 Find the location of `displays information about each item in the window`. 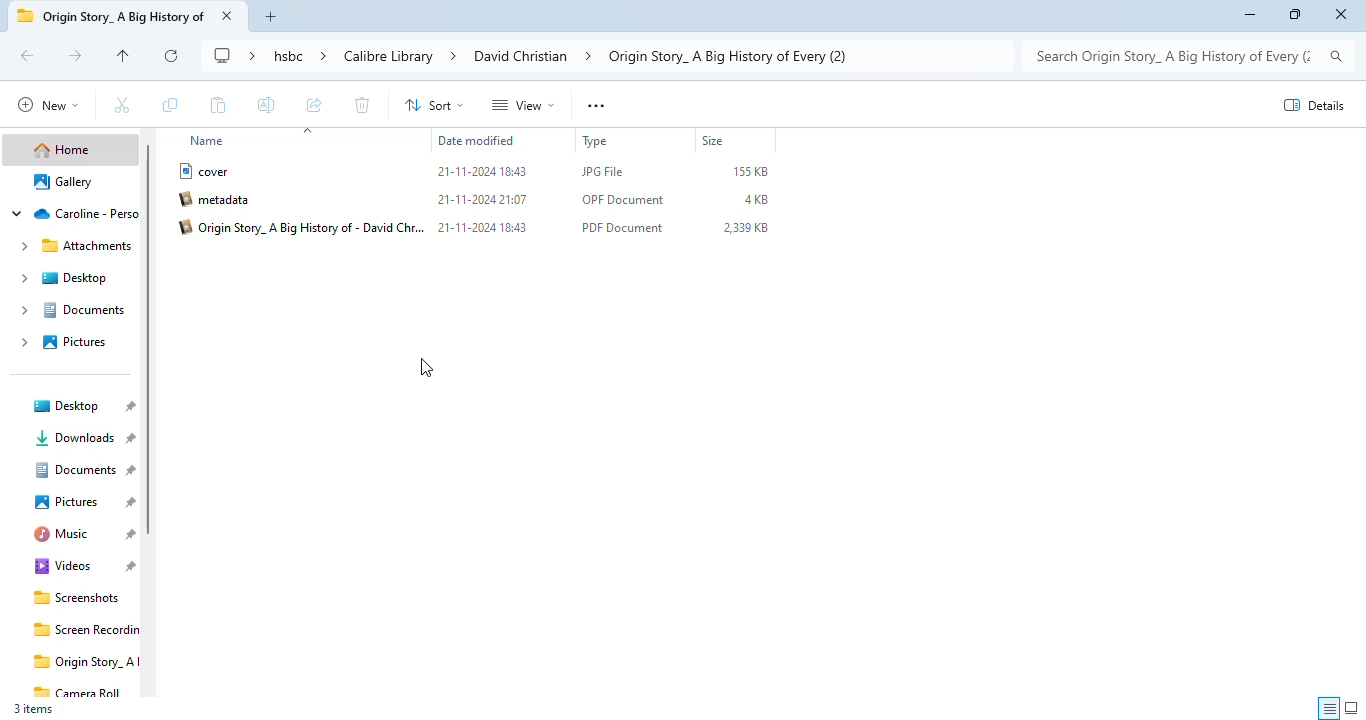

displays information about each item in the window is located at coordinates (1330, 707).